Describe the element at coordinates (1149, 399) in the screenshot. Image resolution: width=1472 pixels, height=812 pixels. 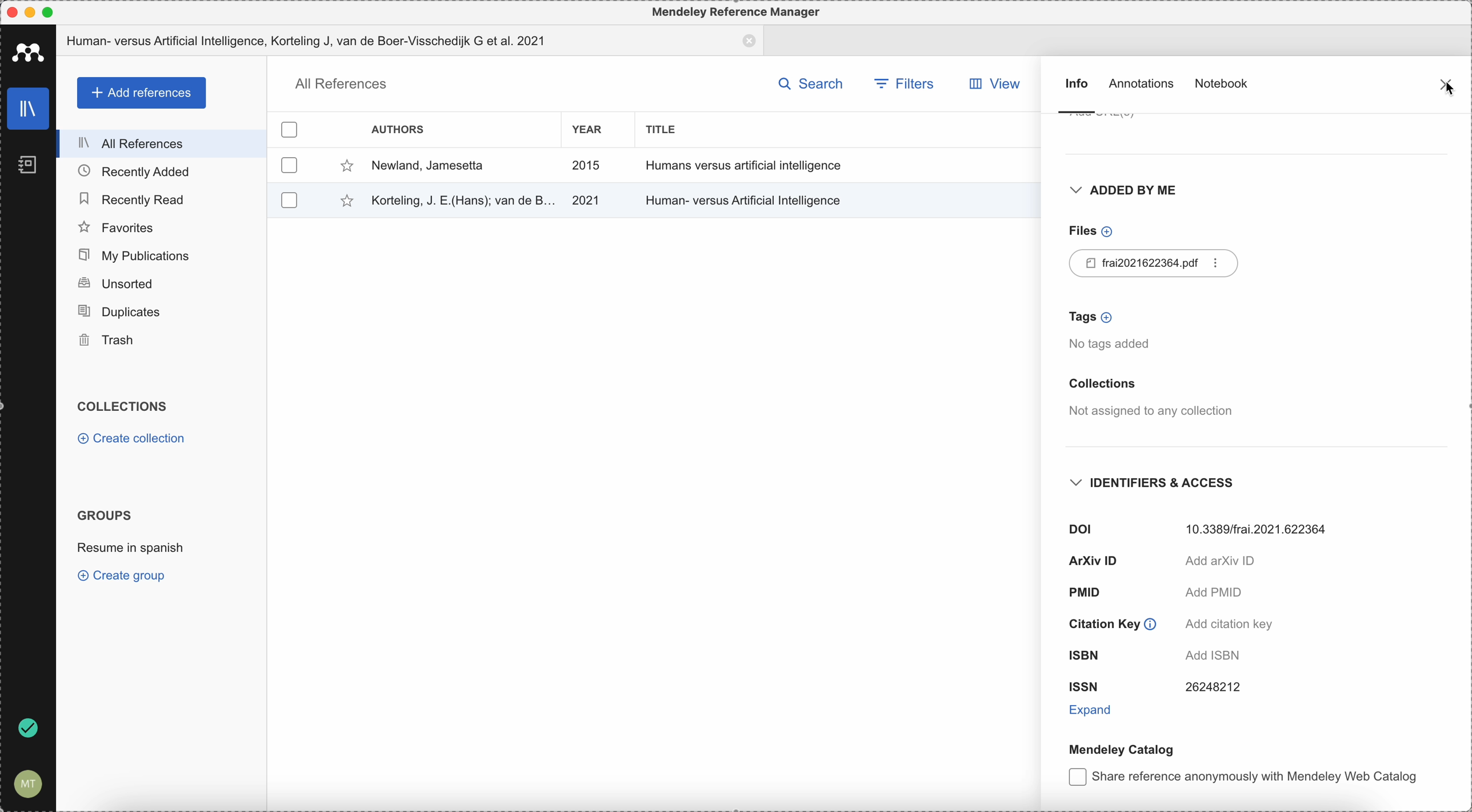
I see `collections not assigned to any collection` at that location.